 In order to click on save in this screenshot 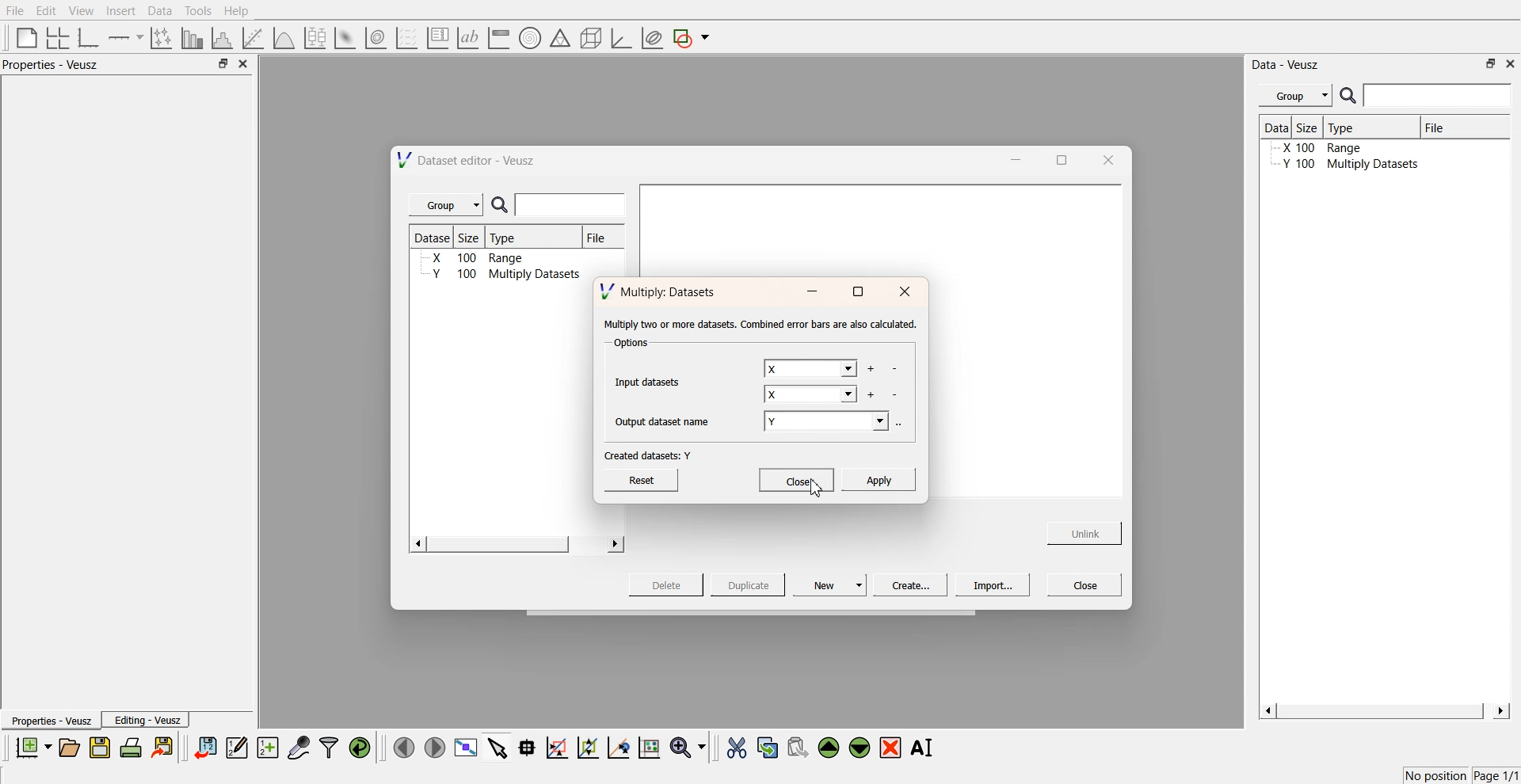, I will do `click(102, 748)`.